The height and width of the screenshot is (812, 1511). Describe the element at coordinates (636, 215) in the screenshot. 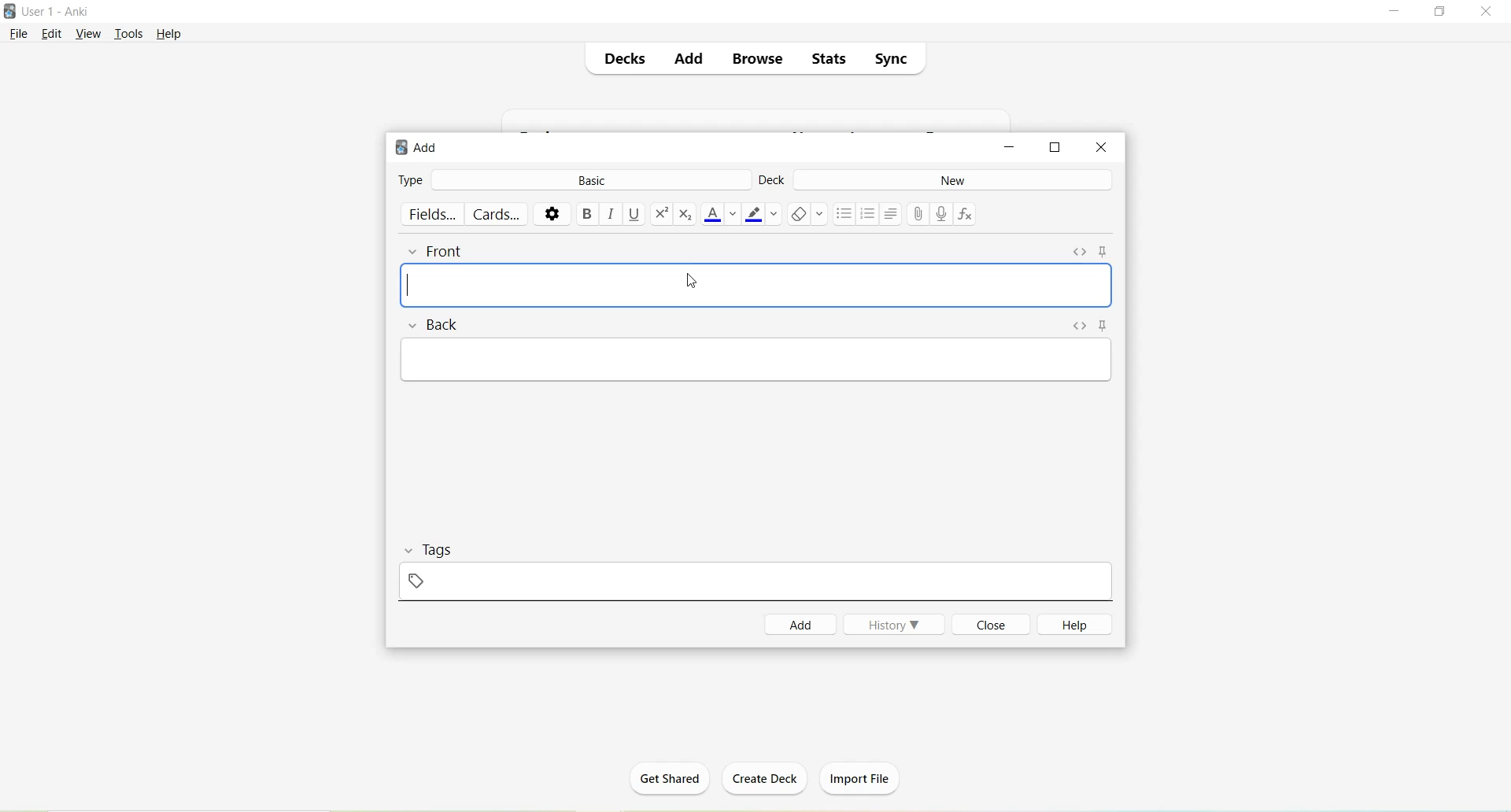

I see `Underline` at that location.